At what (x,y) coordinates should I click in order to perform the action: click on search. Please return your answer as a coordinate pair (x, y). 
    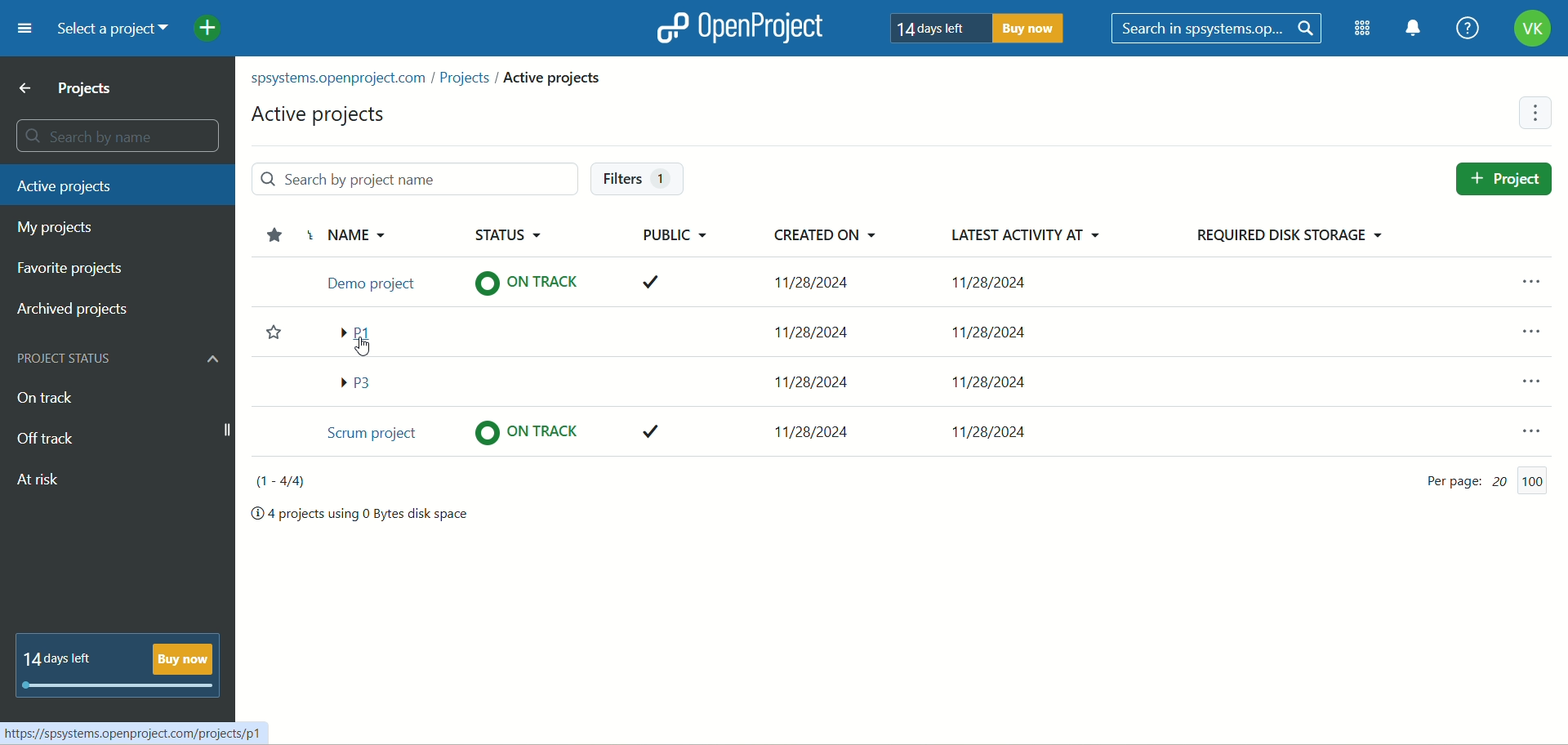
    Looking at the image, I should click on (1218, 29).